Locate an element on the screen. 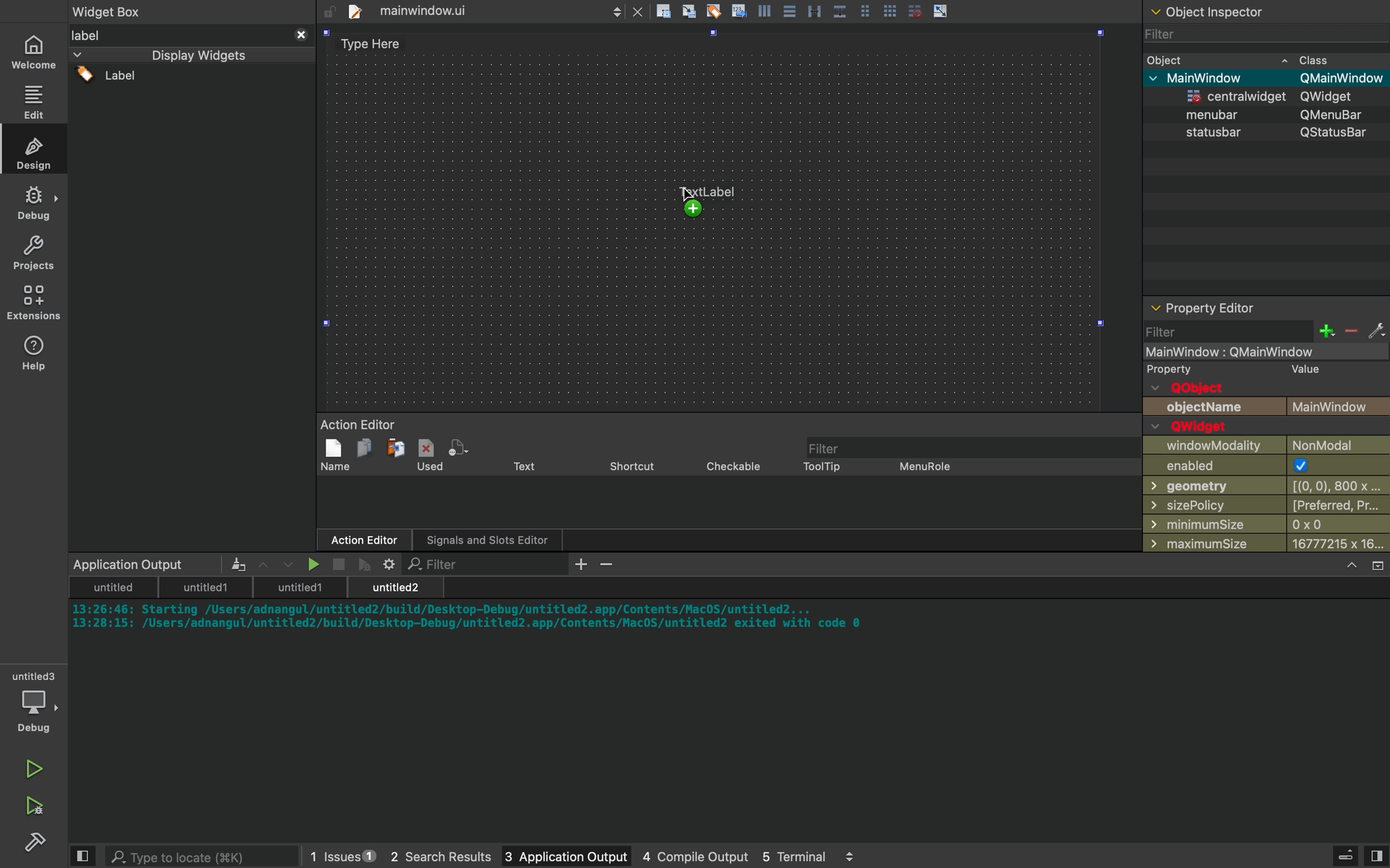  home is located at coordinates (36, 52).